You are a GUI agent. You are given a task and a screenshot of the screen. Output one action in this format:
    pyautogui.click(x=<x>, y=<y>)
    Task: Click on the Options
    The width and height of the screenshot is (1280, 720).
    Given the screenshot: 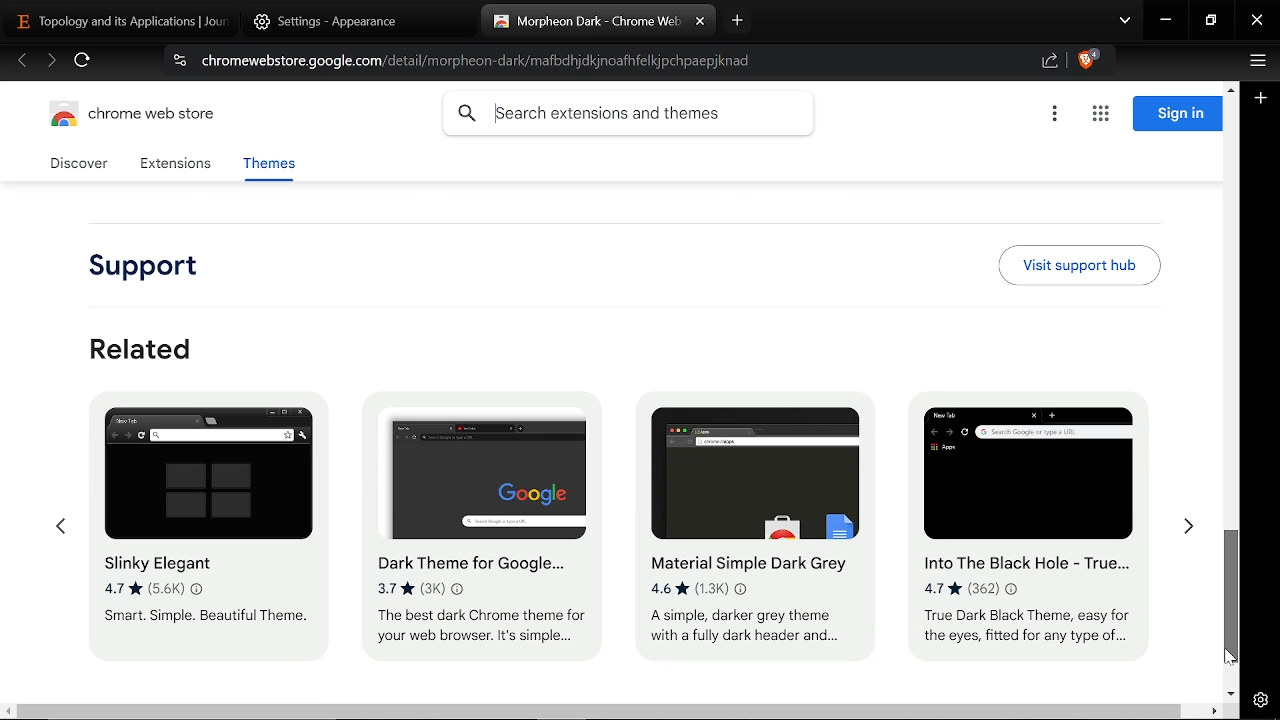 What is the action you would take?
    pyautogui.click(x=1054, y=115)
    